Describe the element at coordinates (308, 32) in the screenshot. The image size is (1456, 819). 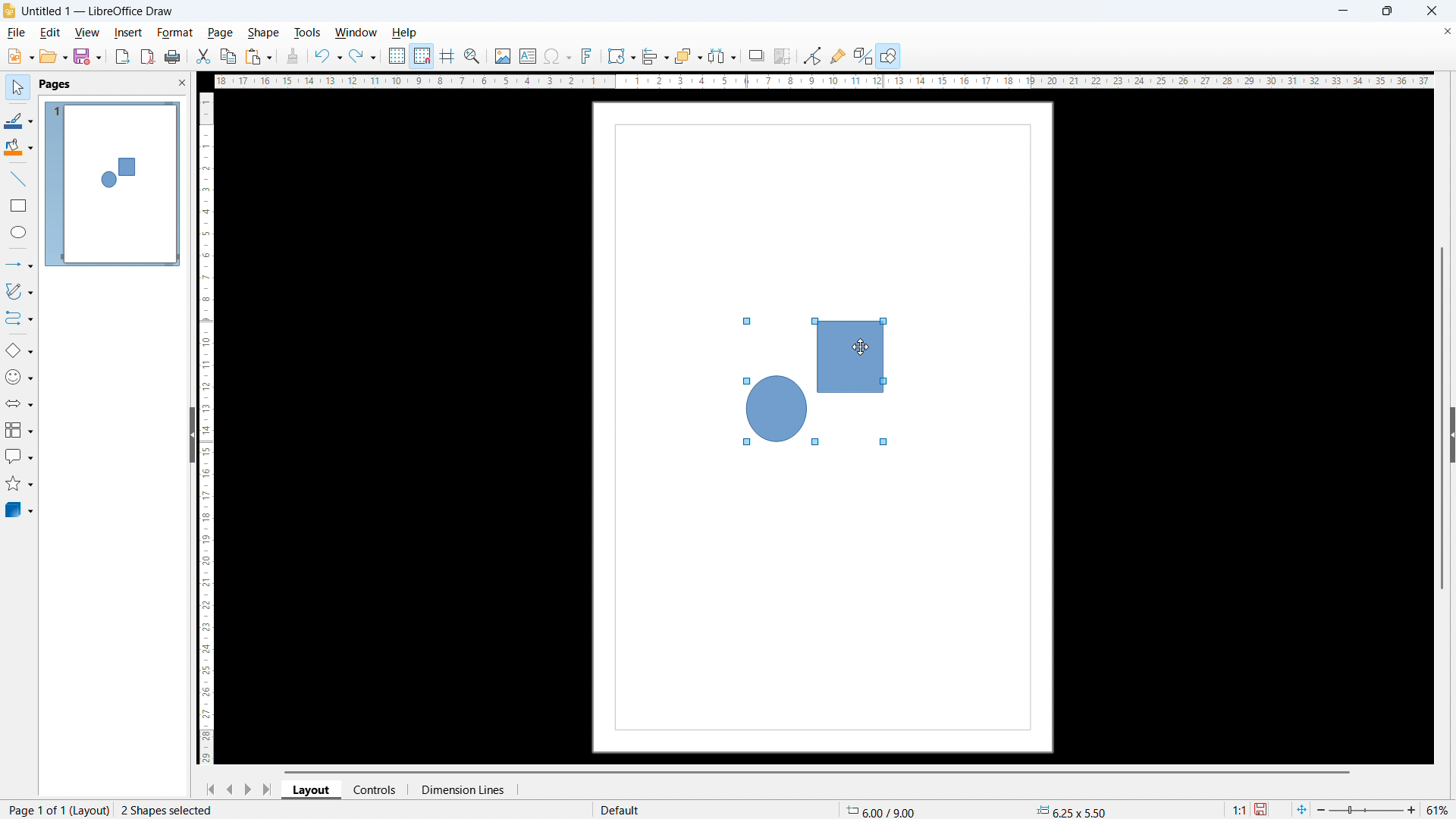
I see `tools` at that location.